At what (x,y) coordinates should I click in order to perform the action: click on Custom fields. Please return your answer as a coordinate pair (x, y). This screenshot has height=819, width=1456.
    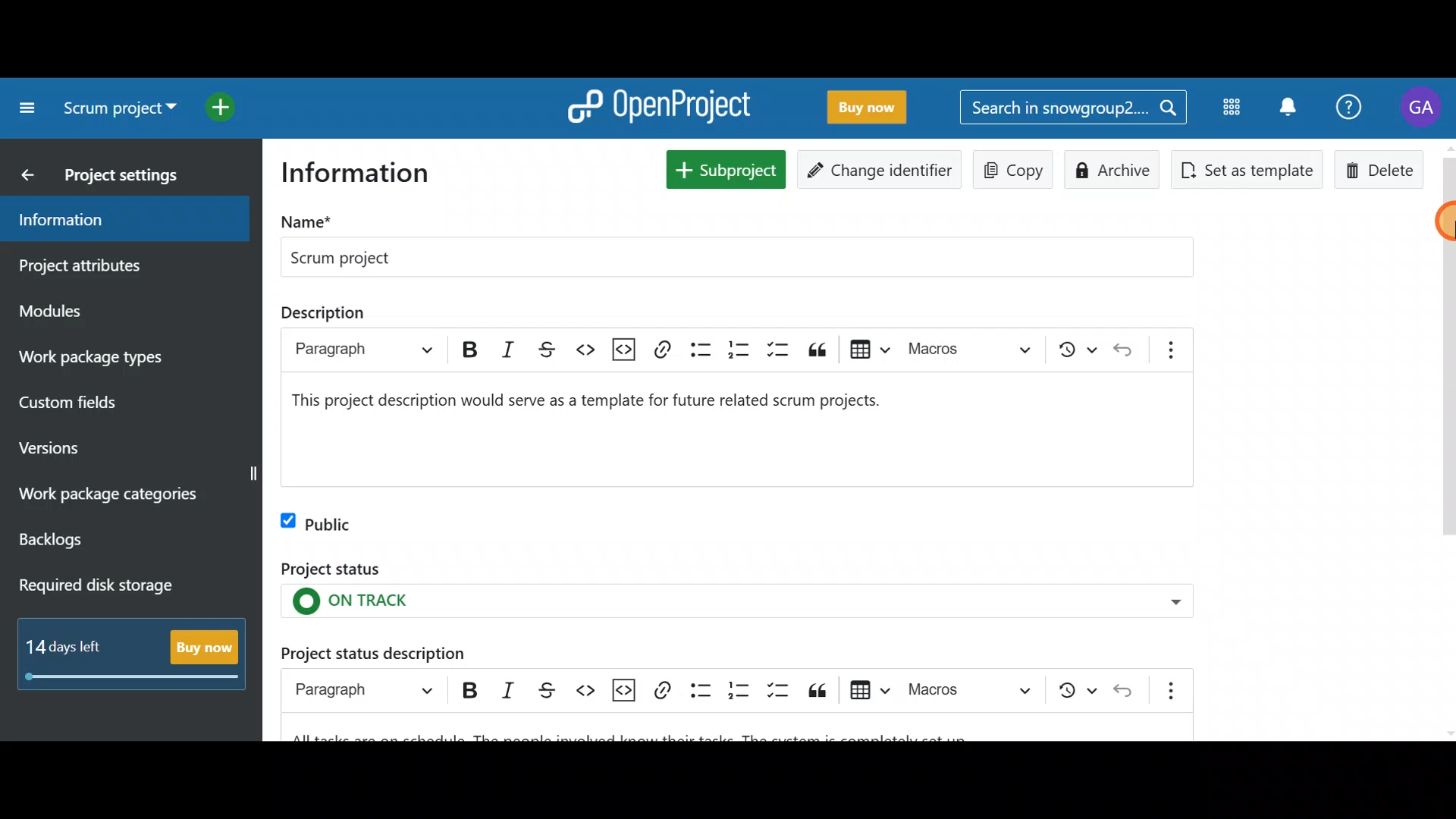
    Looking at the image, I should click on (115, 400).